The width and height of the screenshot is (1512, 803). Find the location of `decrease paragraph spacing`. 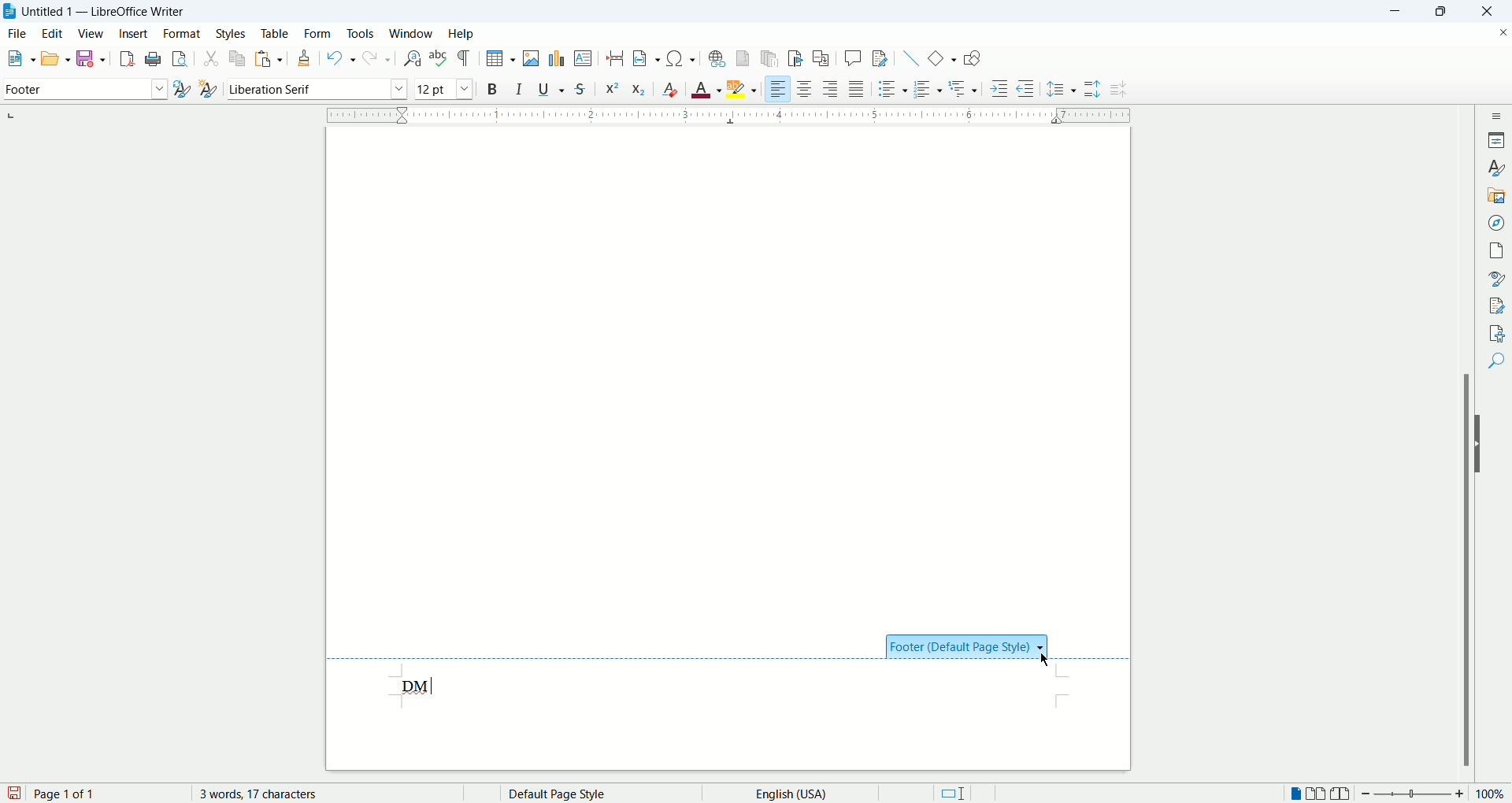

decrease paragraph spacing is located at coordinates (1118, 90).